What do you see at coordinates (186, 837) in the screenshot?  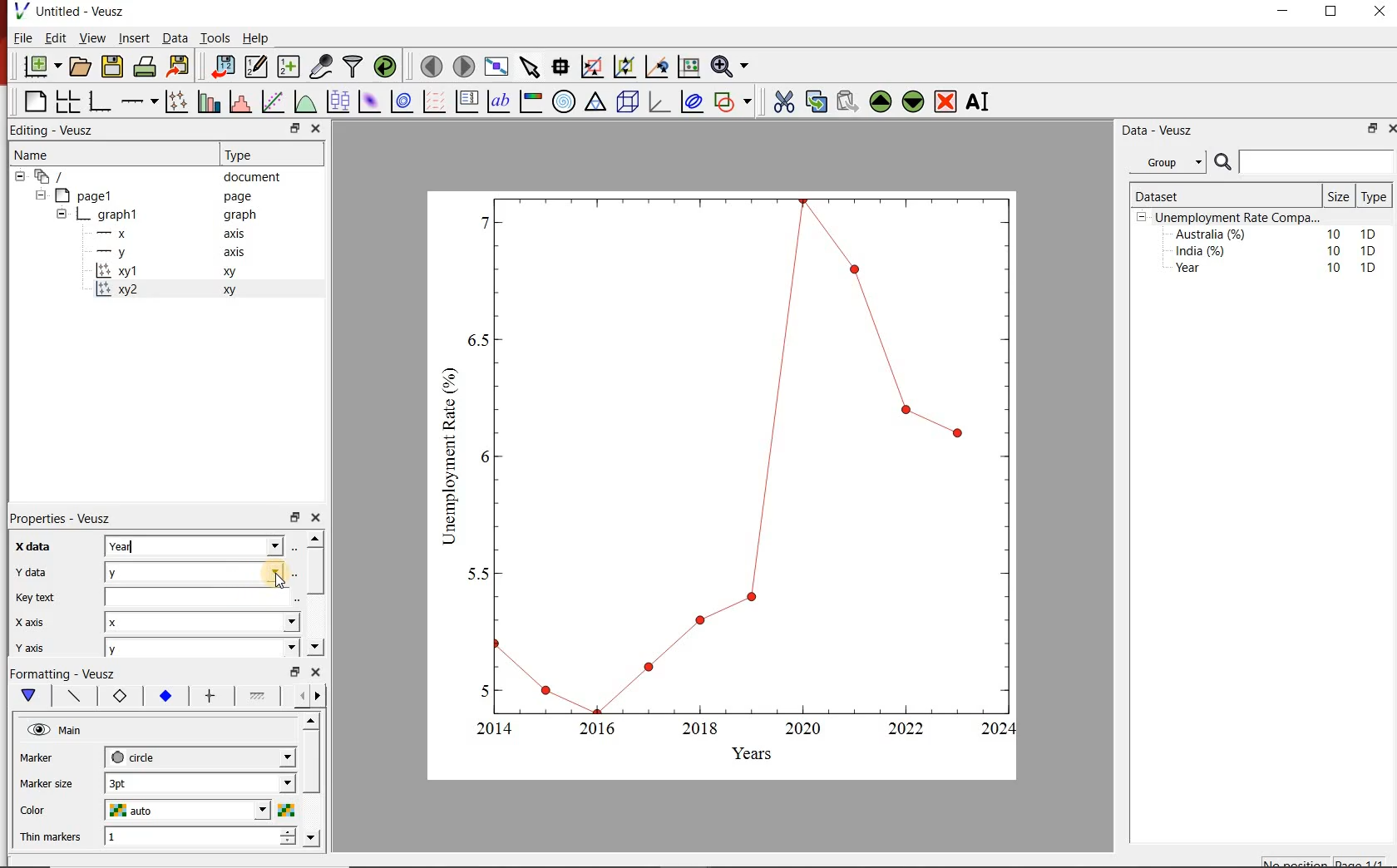 I see `1` at bounding box center [186, 837].